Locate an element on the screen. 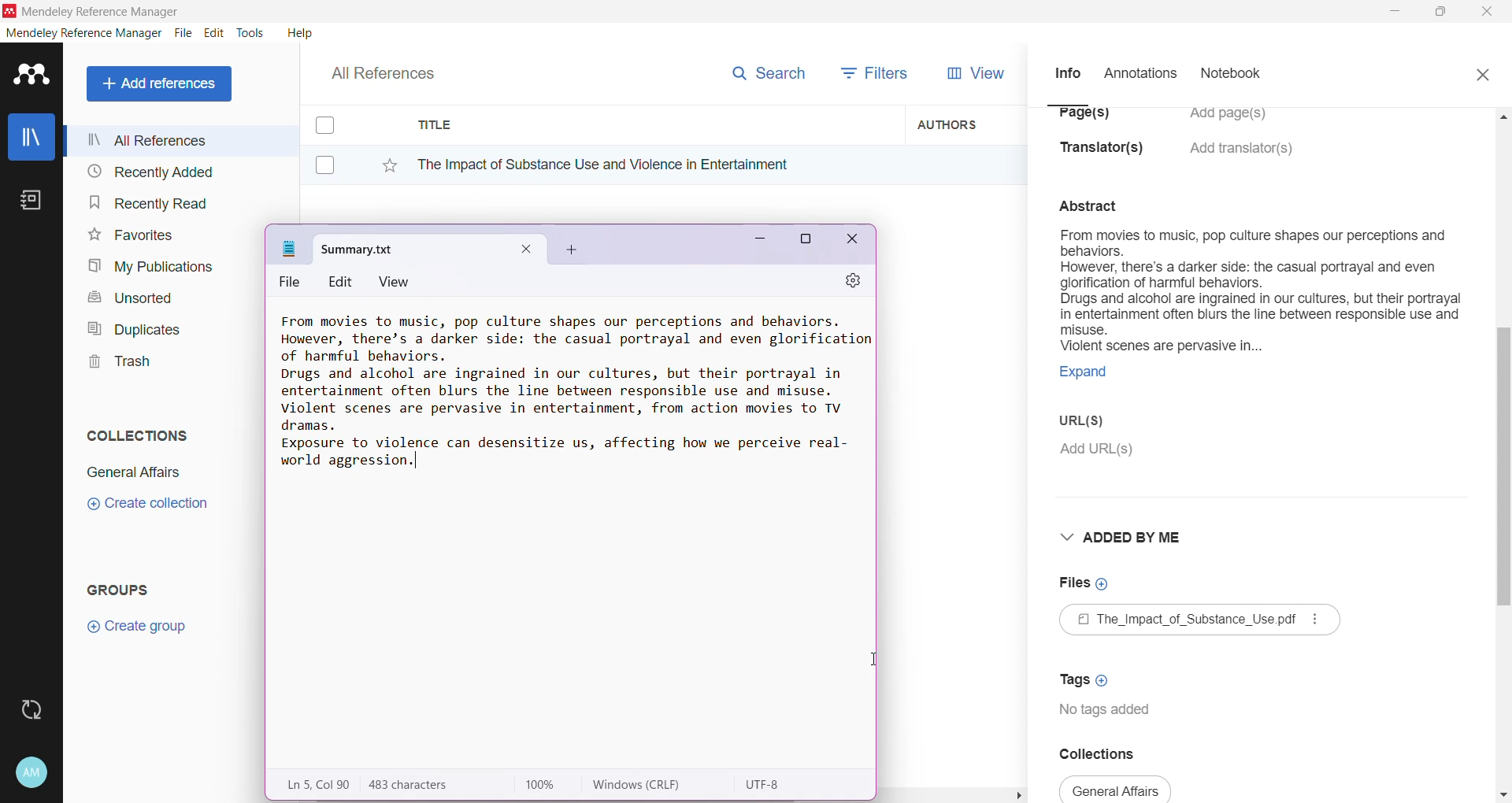 The width and height of the screenshot is (1512, 803). Recently Read is located at coordinates (148, 202).